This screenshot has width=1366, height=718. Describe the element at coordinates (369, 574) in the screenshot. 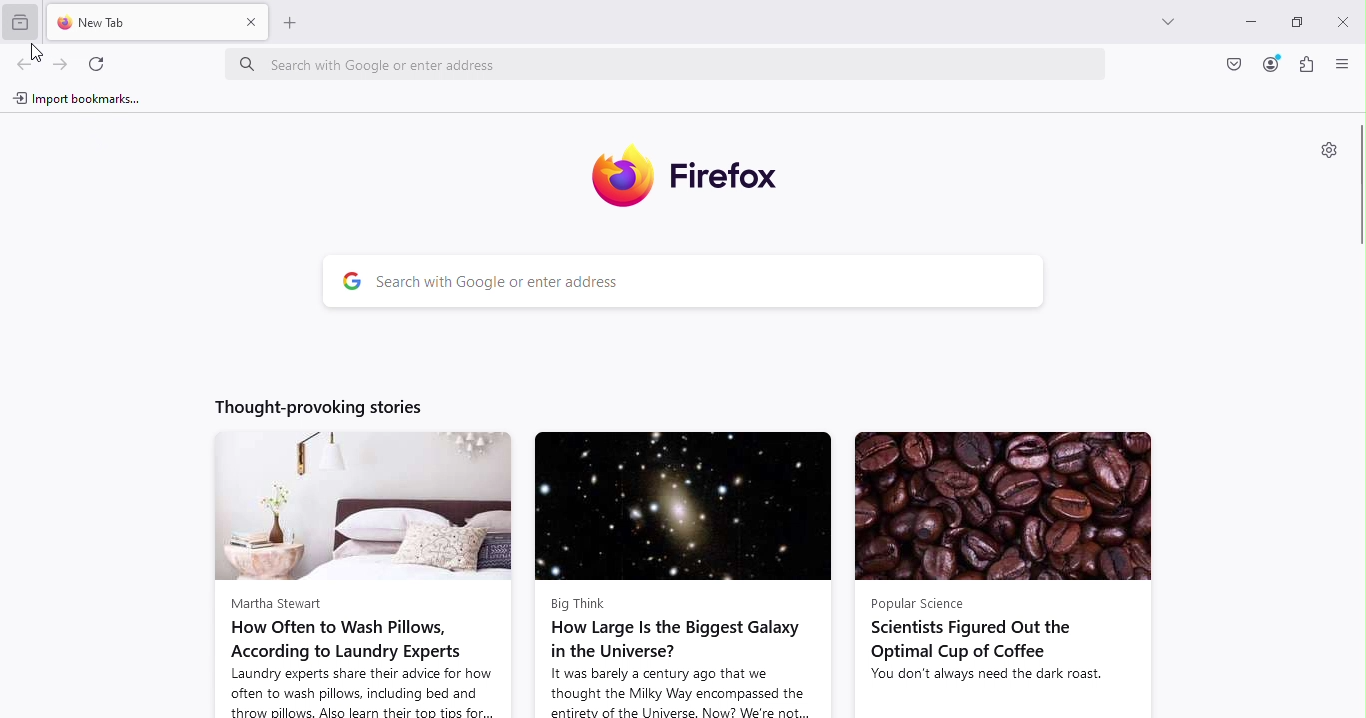

I see `news article from martha stewart` at that location.